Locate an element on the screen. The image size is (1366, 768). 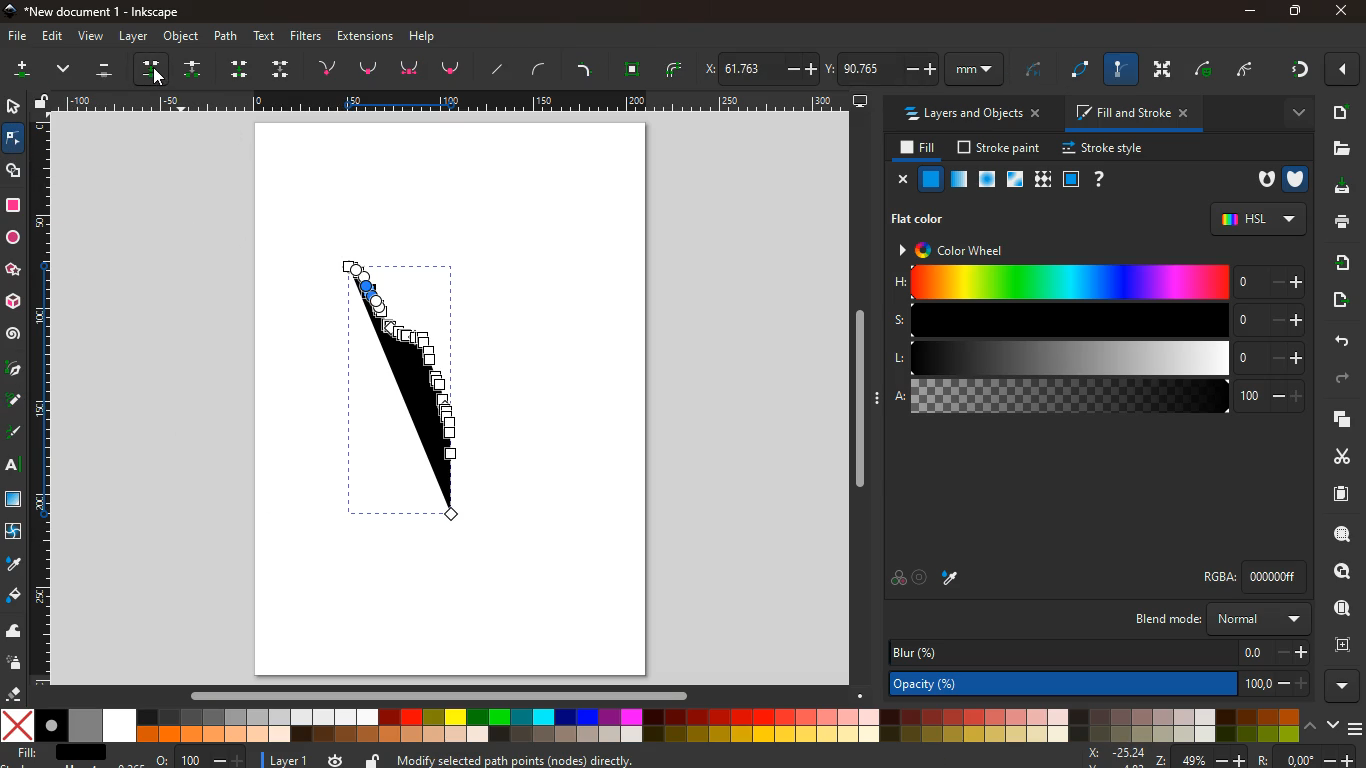
Cursor is located at coordinates (161, 80).